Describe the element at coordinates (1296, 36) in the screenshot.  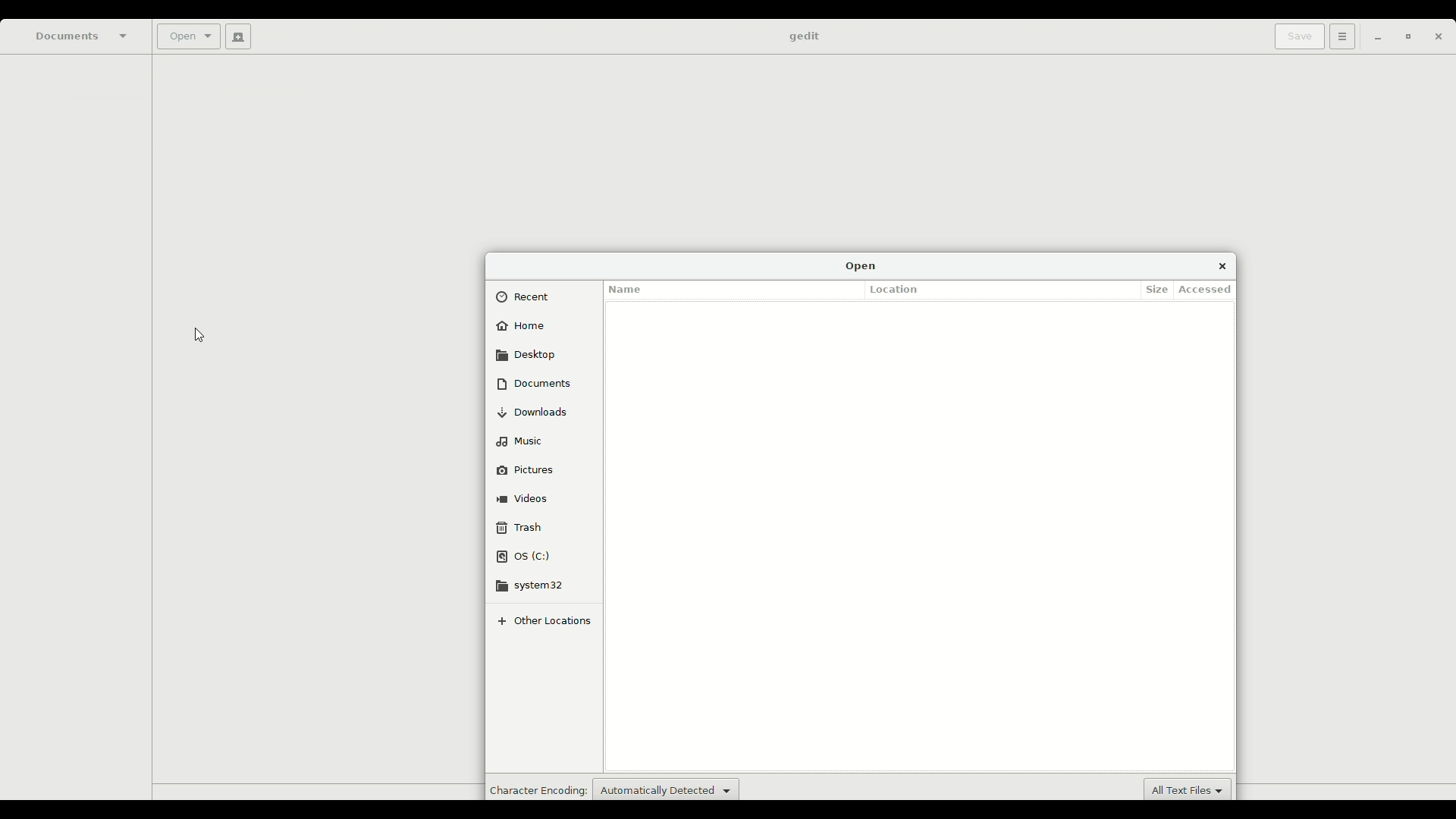
I see `Save` at that location.